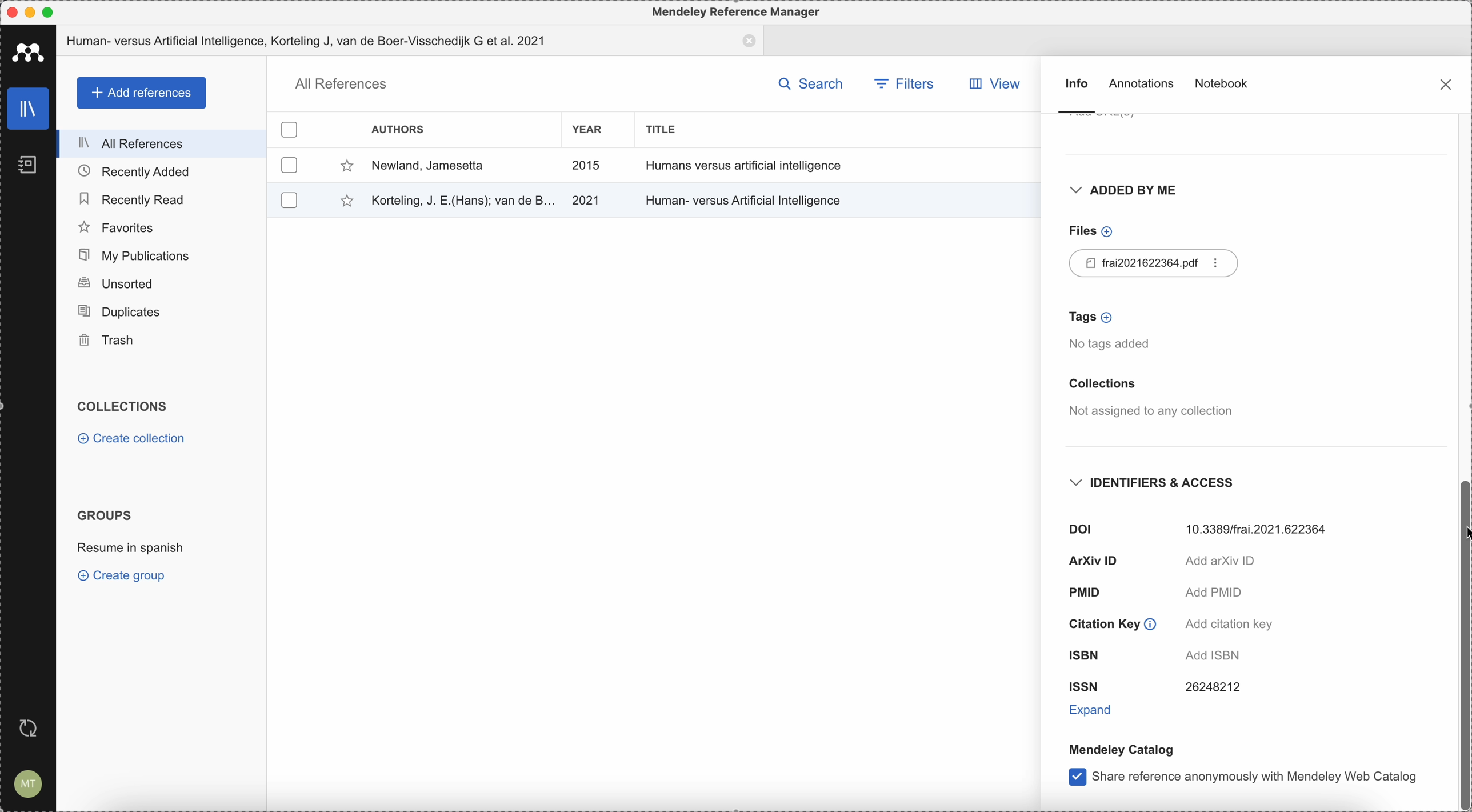  I want to click on create collection, so click(131, 439).